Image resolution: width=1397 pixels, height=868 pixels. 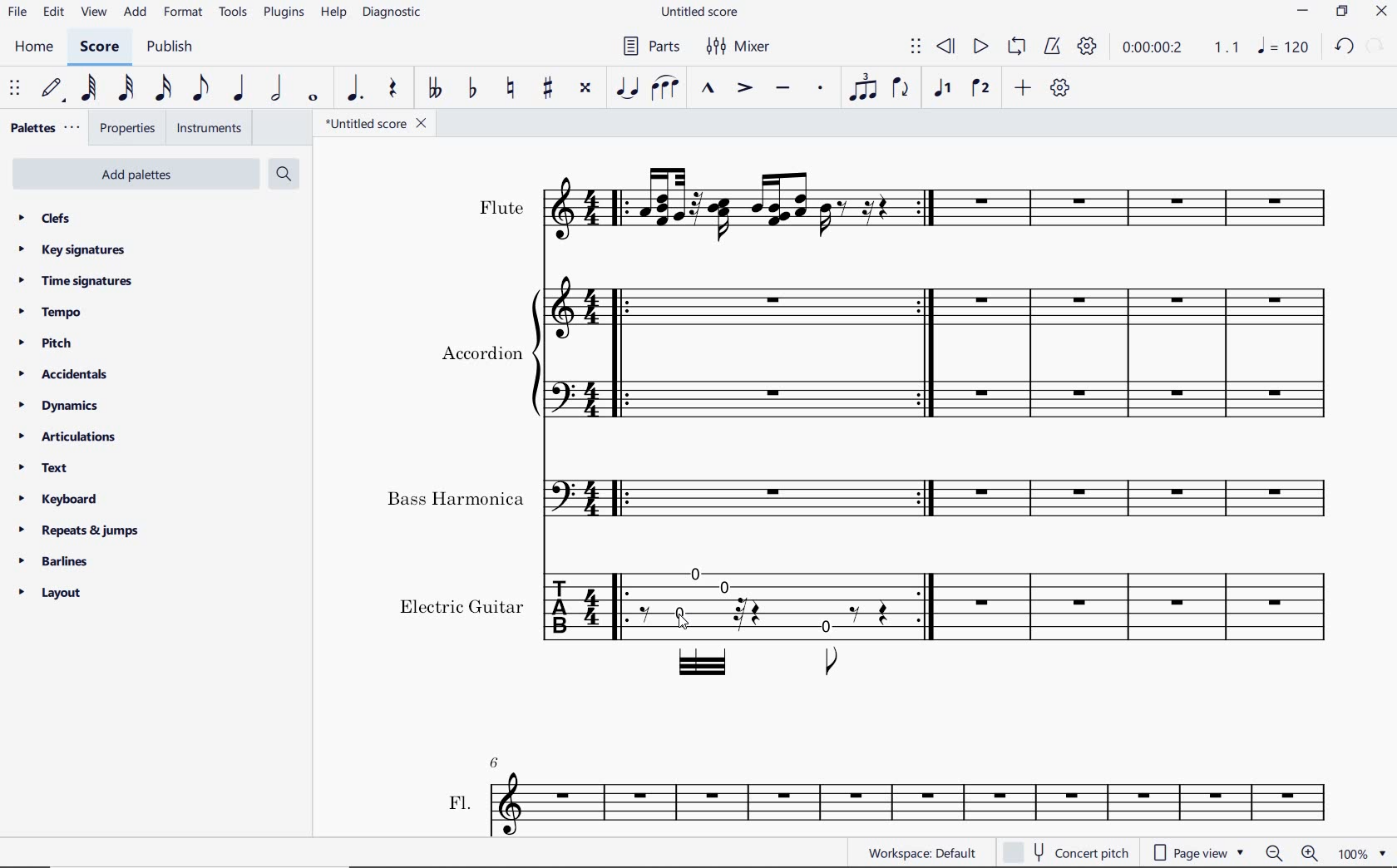 I want to click on text, so click(x=43, y=468).